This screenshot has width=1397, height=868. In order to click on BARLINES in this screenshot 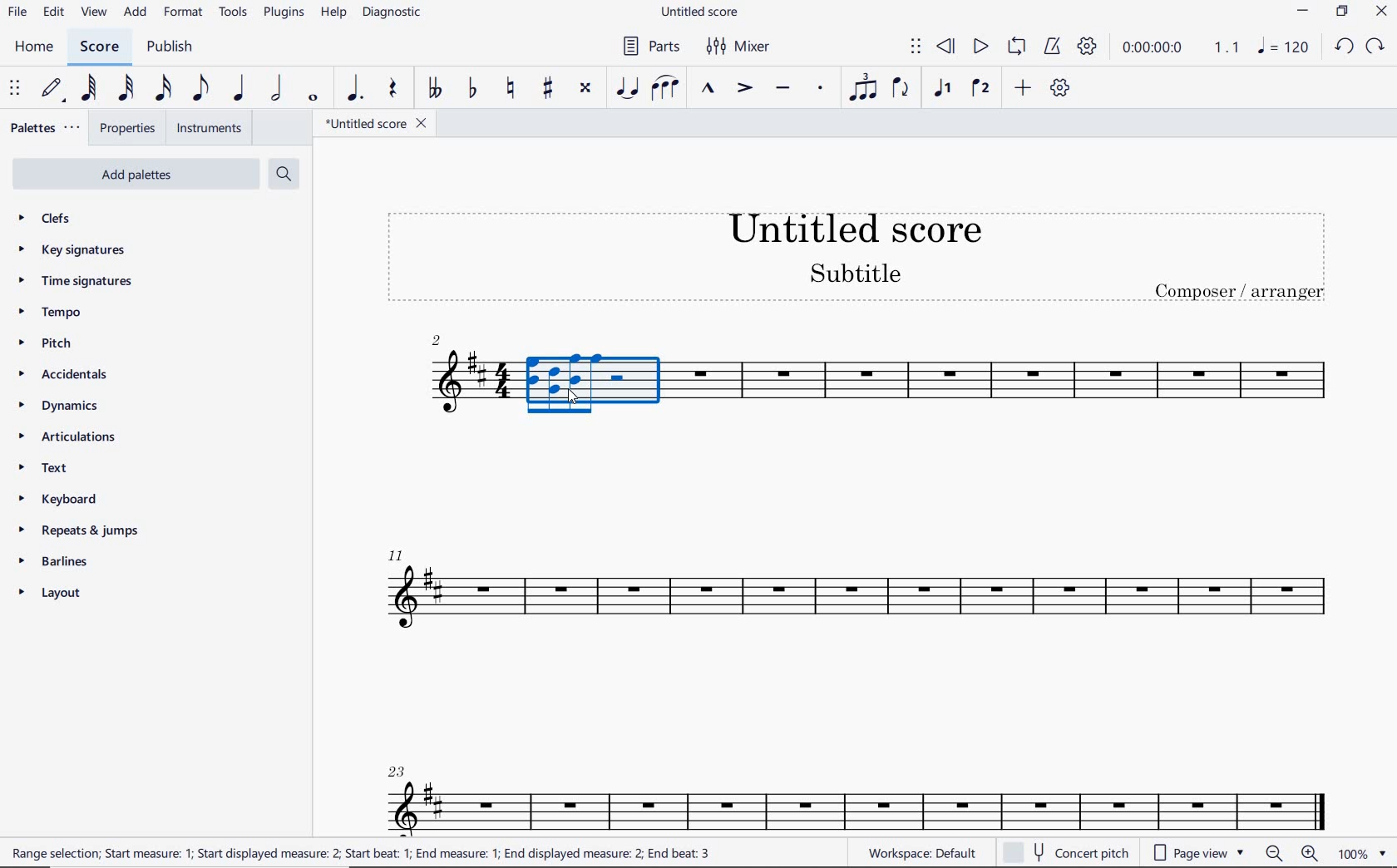, I will do `click(59, 565)`.